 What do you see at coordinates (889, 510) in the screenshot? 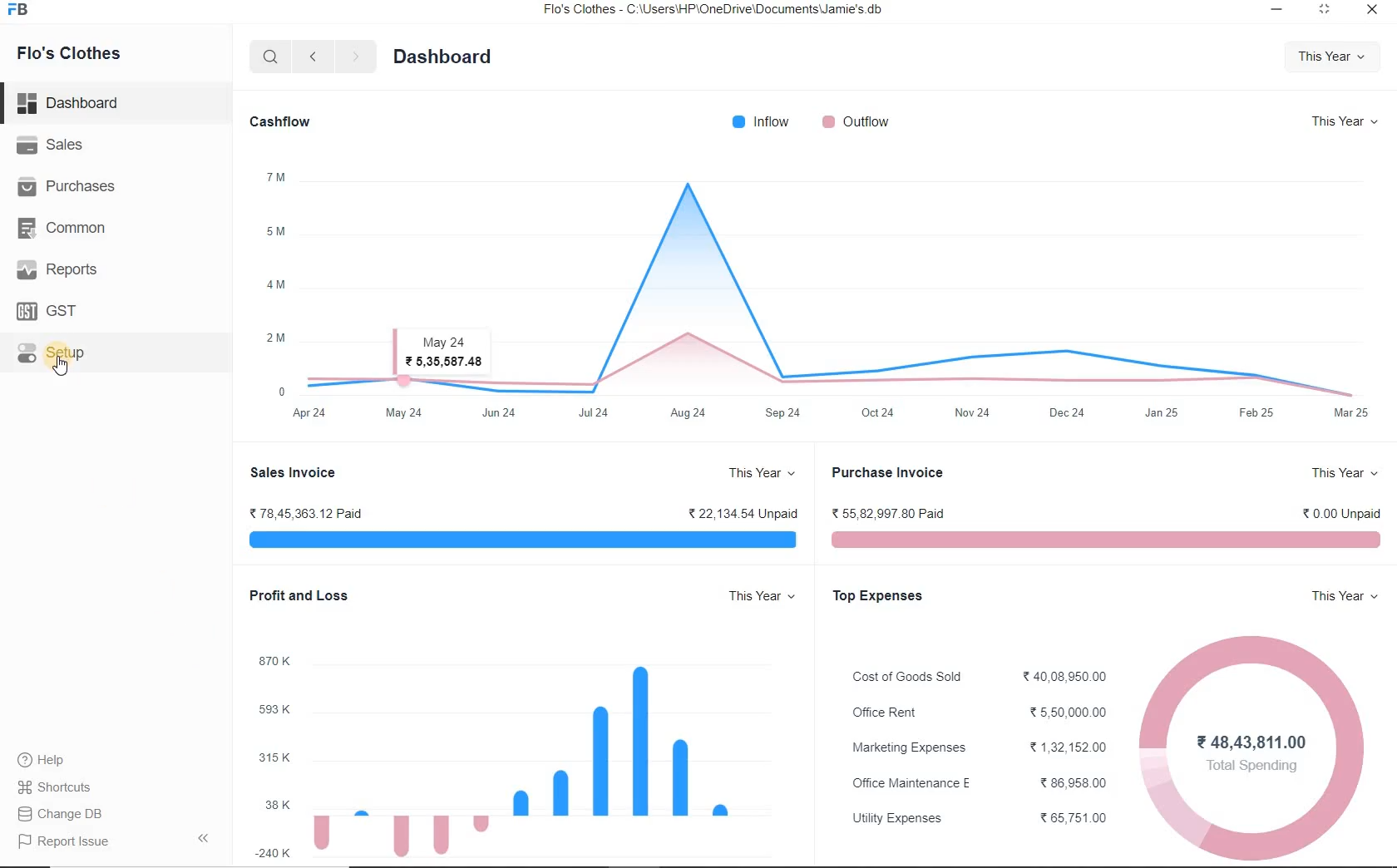
I see `< 55,82,997.80 Paid` at bounding box center [889, 510].